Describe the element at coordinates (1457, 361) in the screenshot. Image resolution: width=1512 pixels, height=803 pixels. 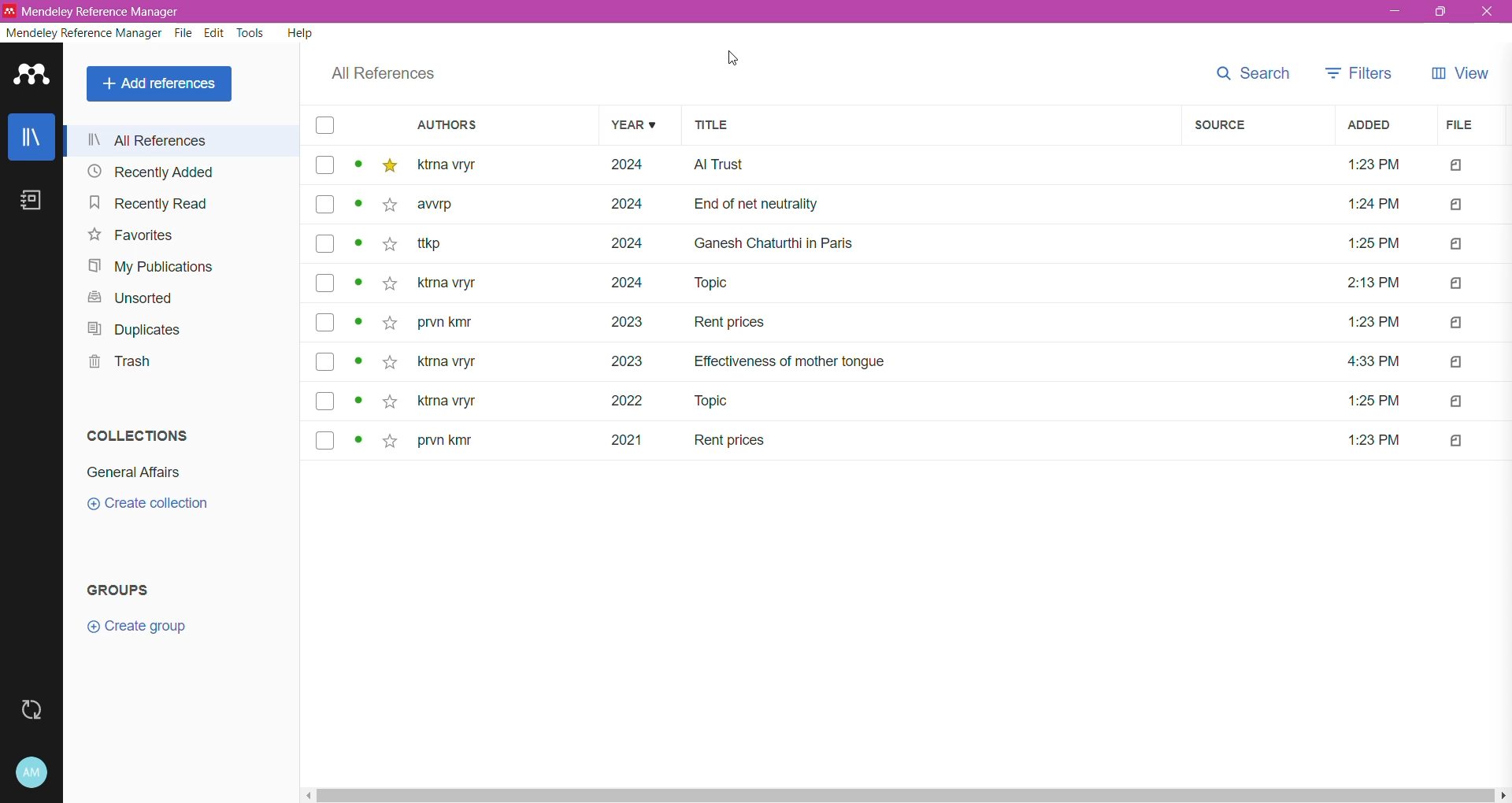
I see `file type` at that location.